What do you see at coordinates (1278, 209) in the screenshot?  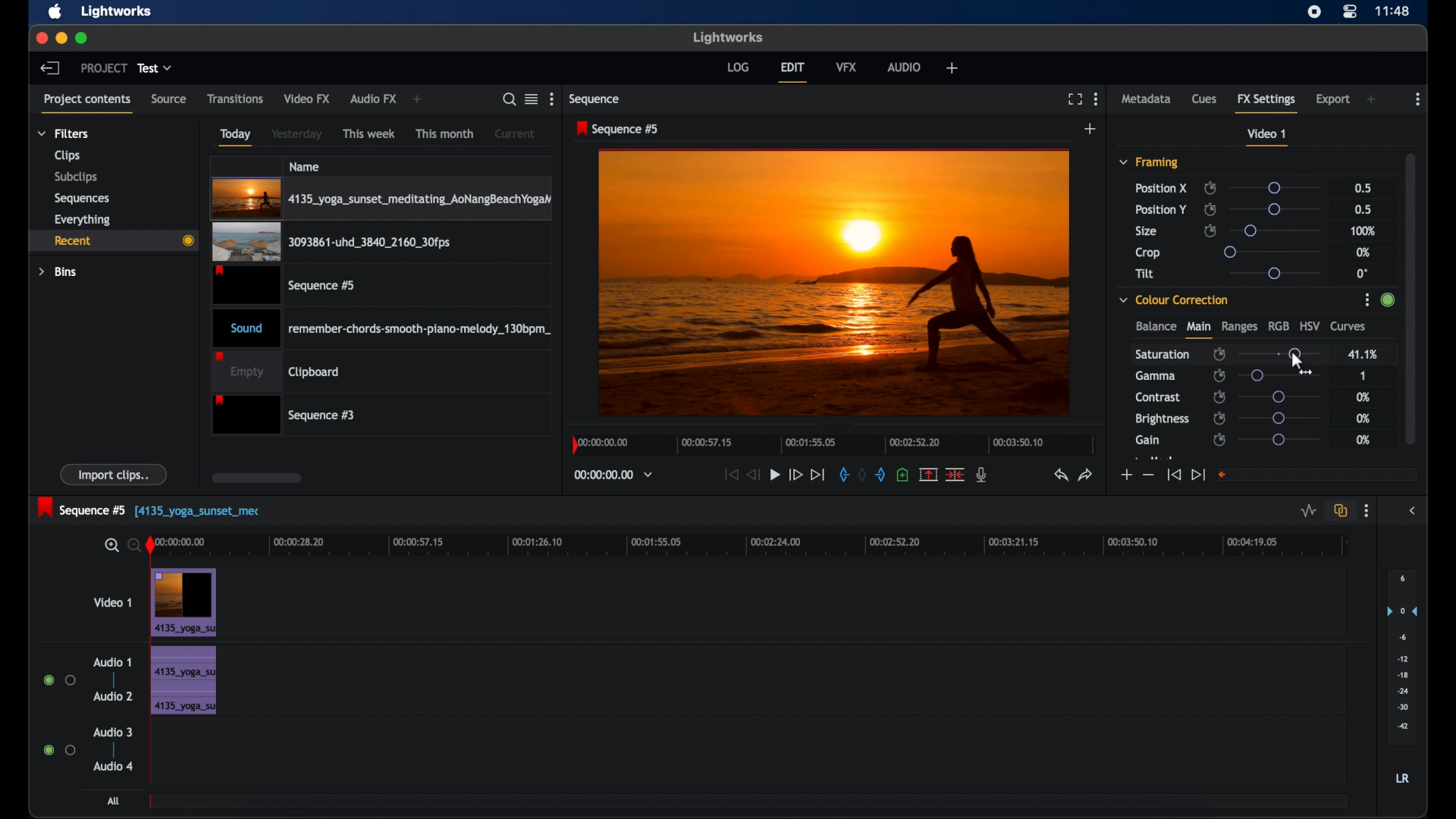 I see `slider` at bounding box center [1278, 209].